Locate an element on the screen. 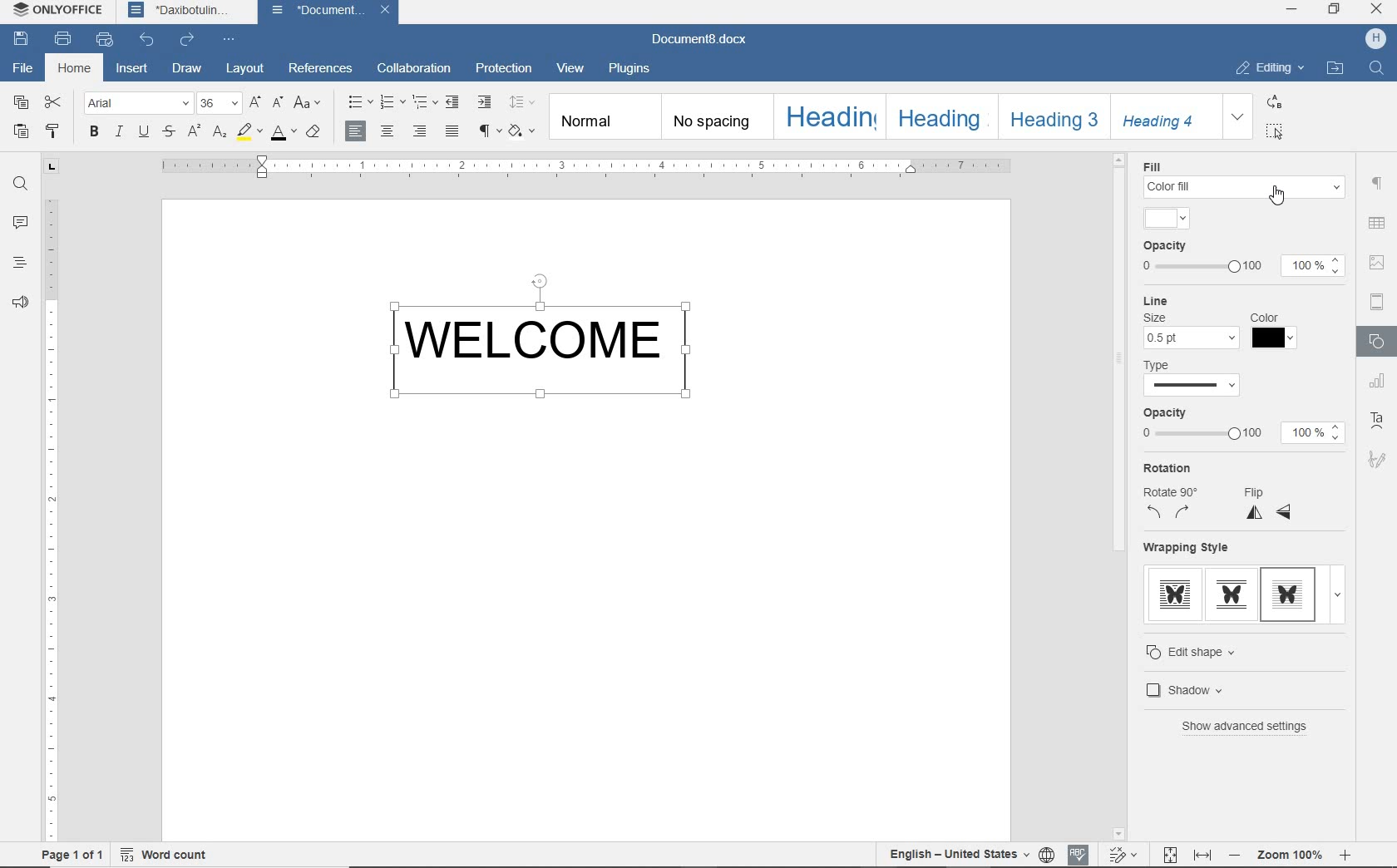 The height and width of the screenshot is (868, 1397). RULER is located at coordinates (52, 513).